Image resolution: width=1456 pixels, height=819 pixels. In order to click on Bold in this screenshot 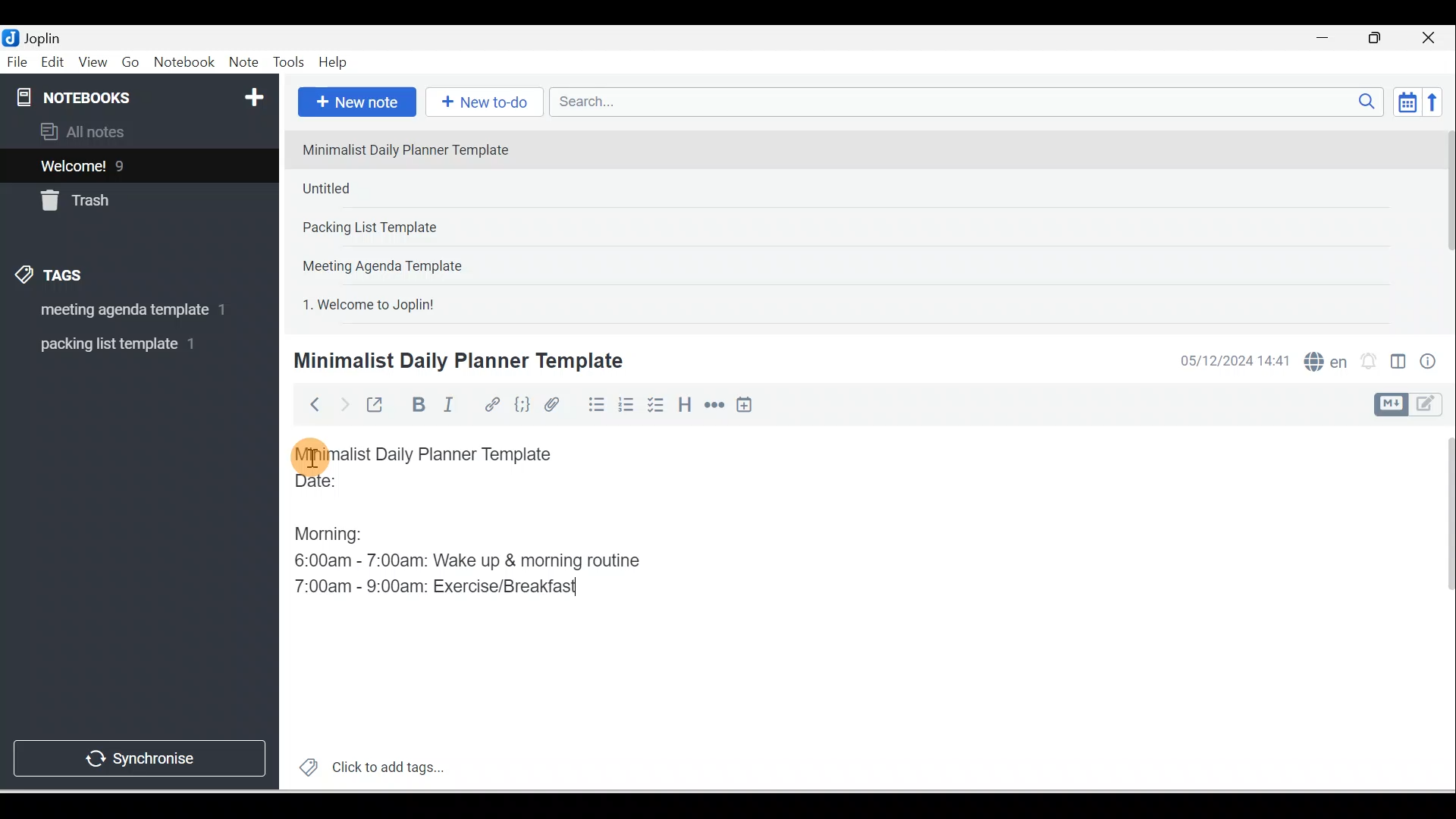, I will do `click(416, 405)`.